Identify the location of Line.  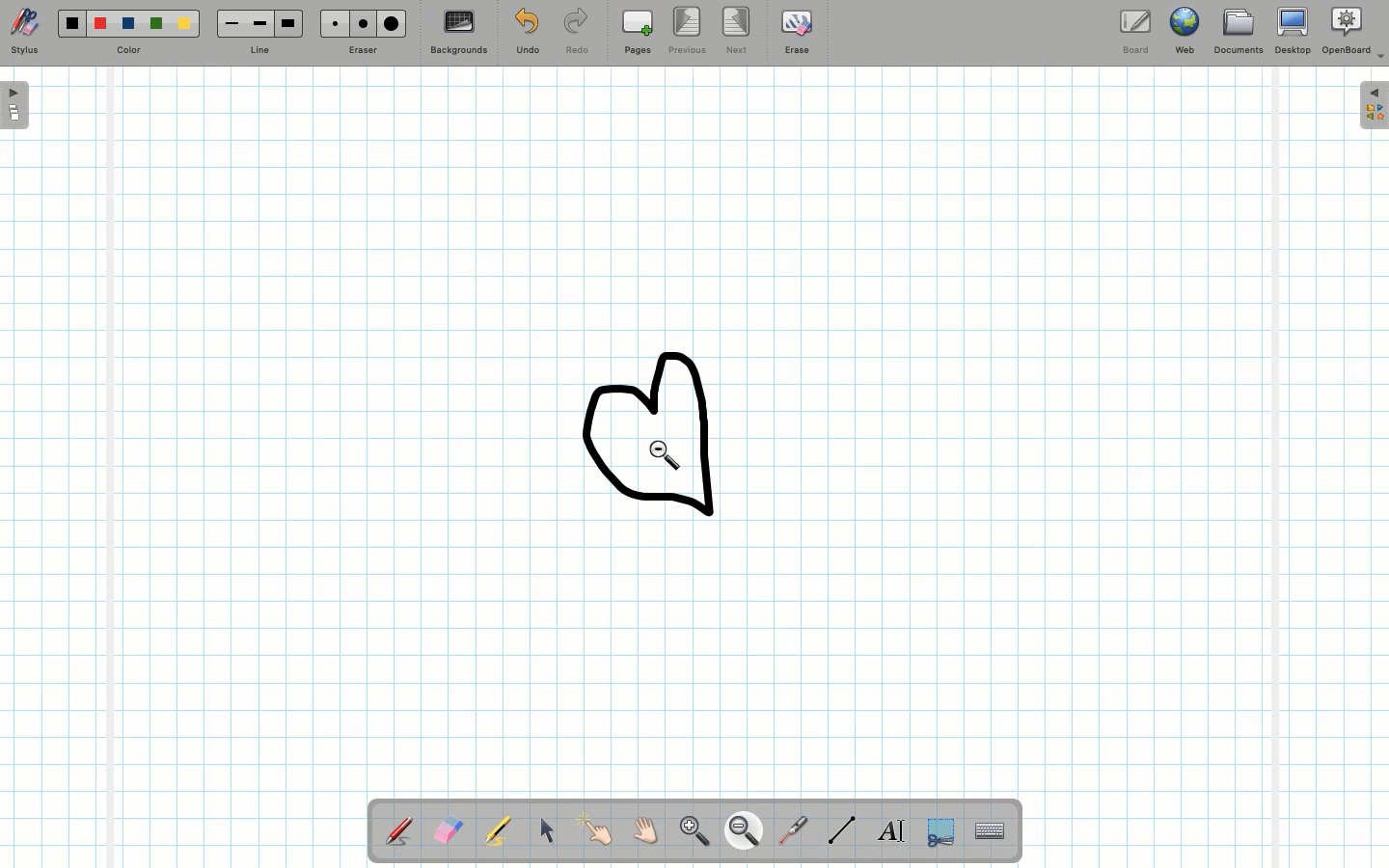
(838, 829).